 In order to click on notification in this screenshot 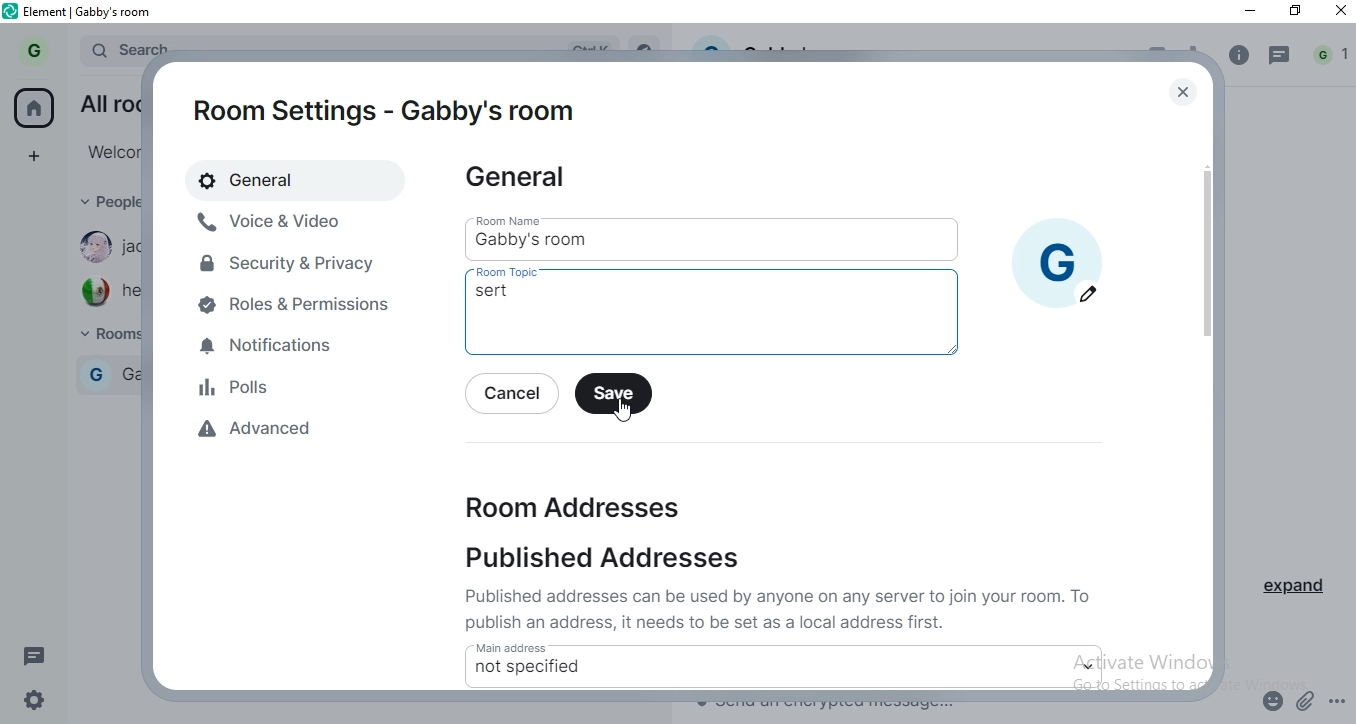, I will do `click(1331, 57)`.